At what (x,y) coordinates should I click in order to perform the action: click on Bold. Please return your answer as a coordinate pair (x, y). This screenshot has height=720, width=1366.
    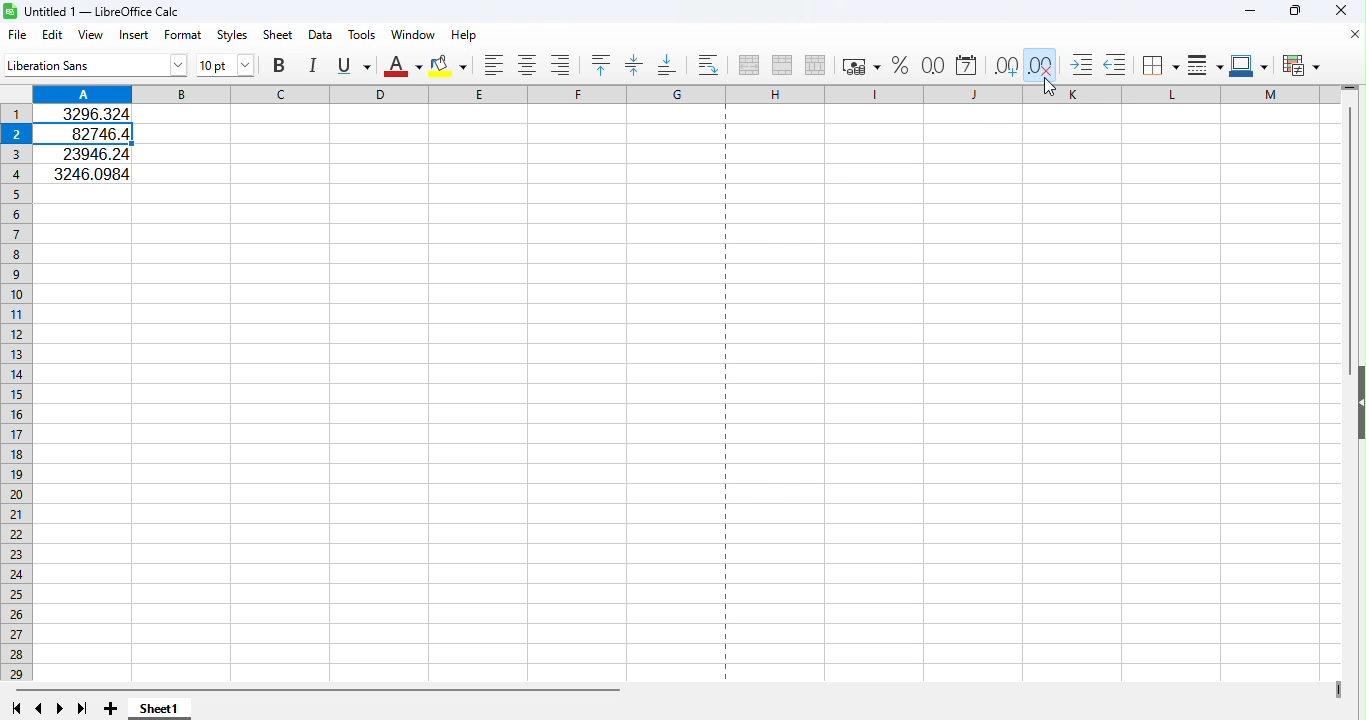
    Looking at the image, I should click on (278, 68).